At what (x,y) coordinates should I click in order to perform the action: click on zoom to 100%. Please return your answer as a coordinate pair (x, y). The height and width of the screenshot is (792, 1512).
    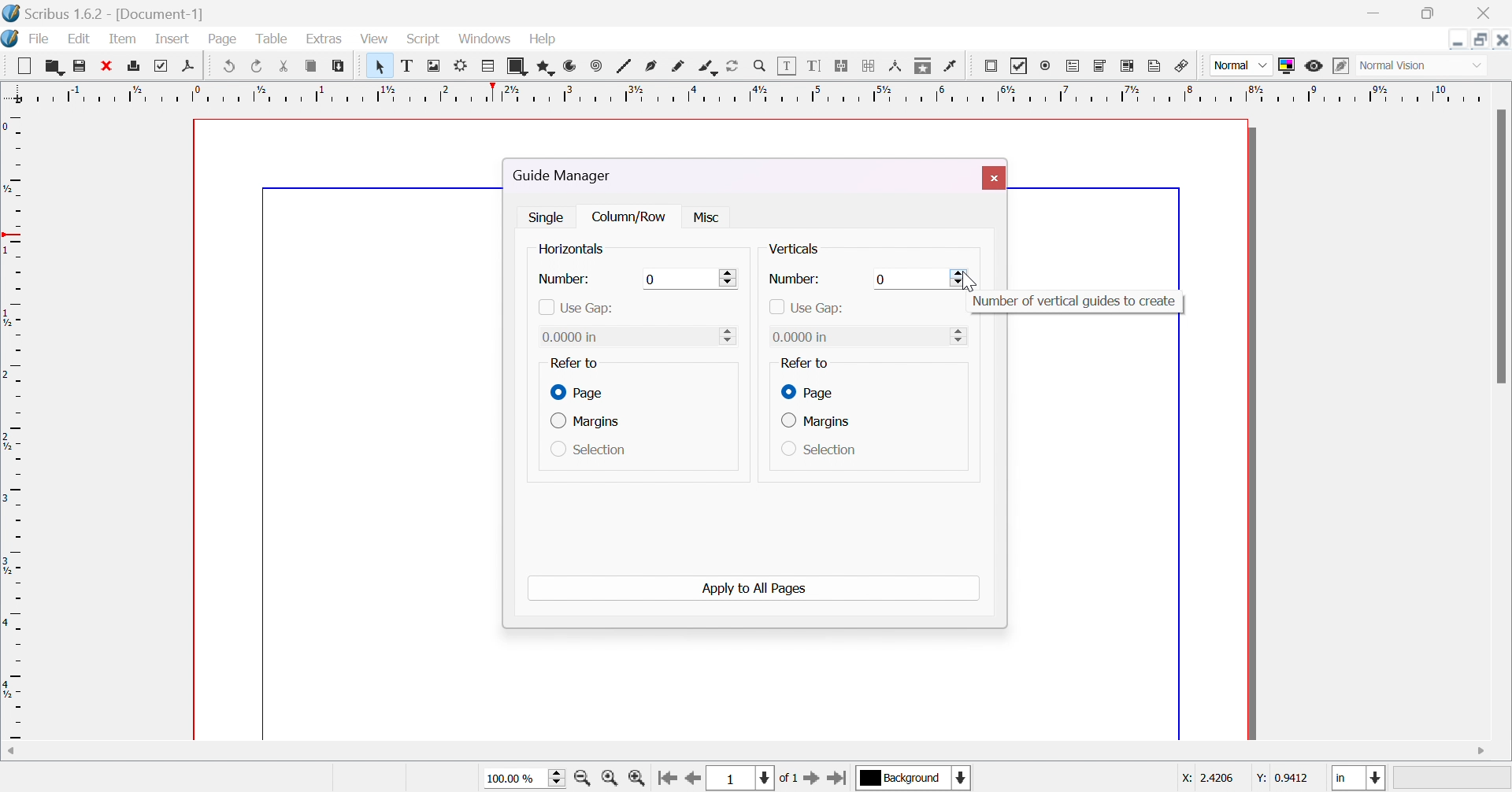
    Looking at the image, I should click on (610, 777).